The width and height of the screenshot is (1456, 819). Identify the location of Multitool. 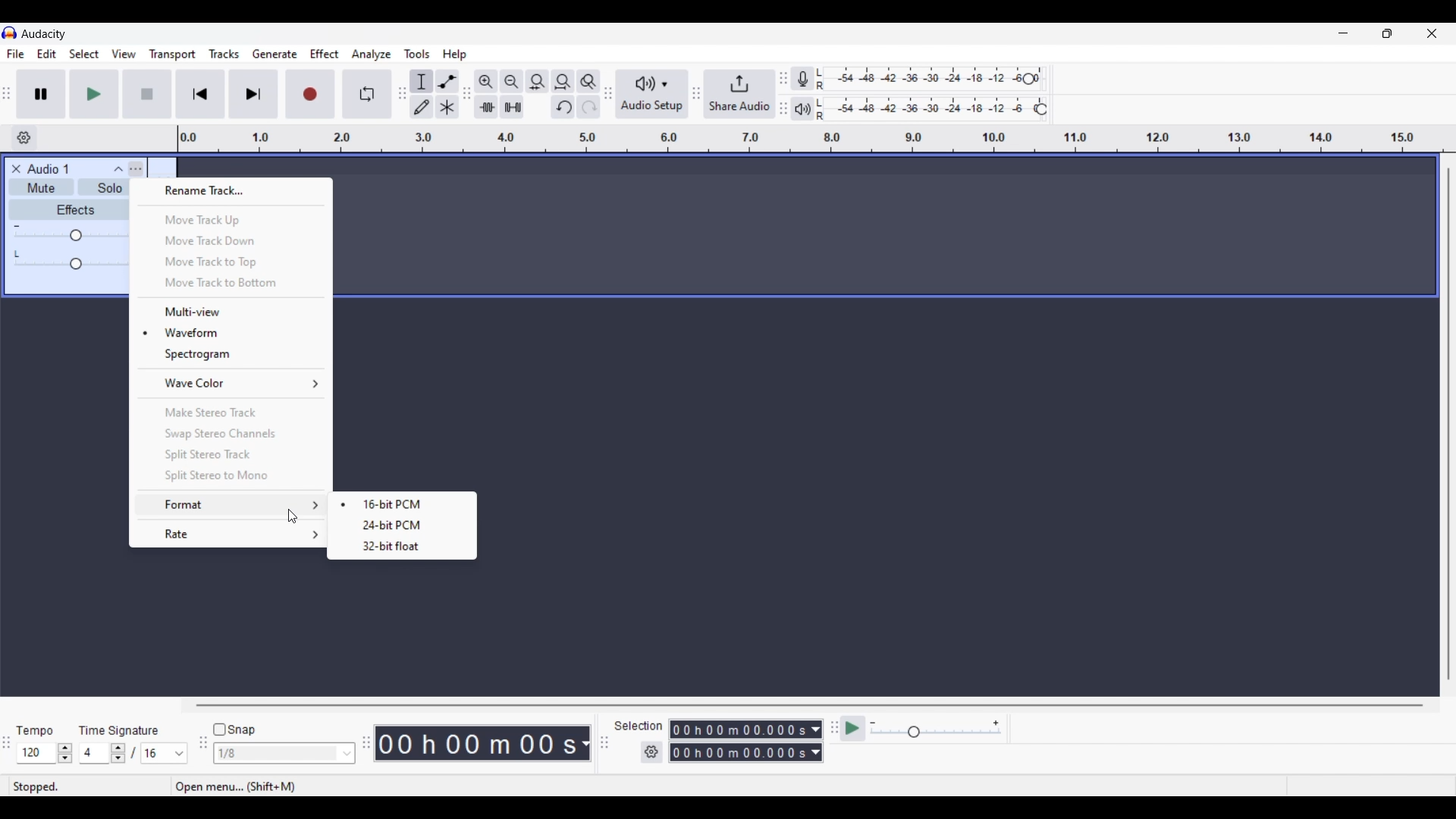
(447, 108).